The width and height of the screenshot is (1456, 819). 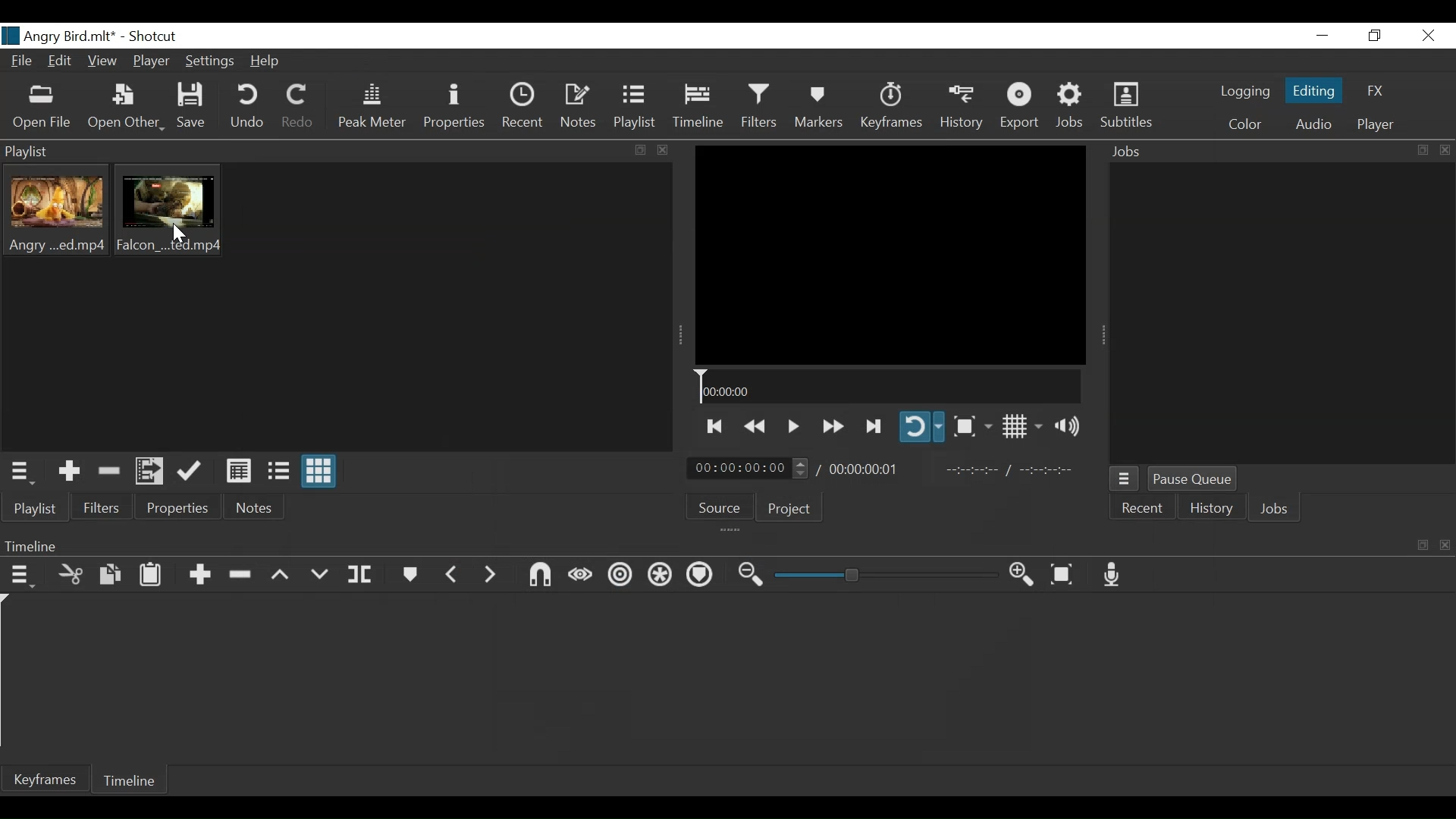 What do you see at coordinates (375, 107) in the screenshot?
I see `Peak Meter` at bounding box center [375, 107].